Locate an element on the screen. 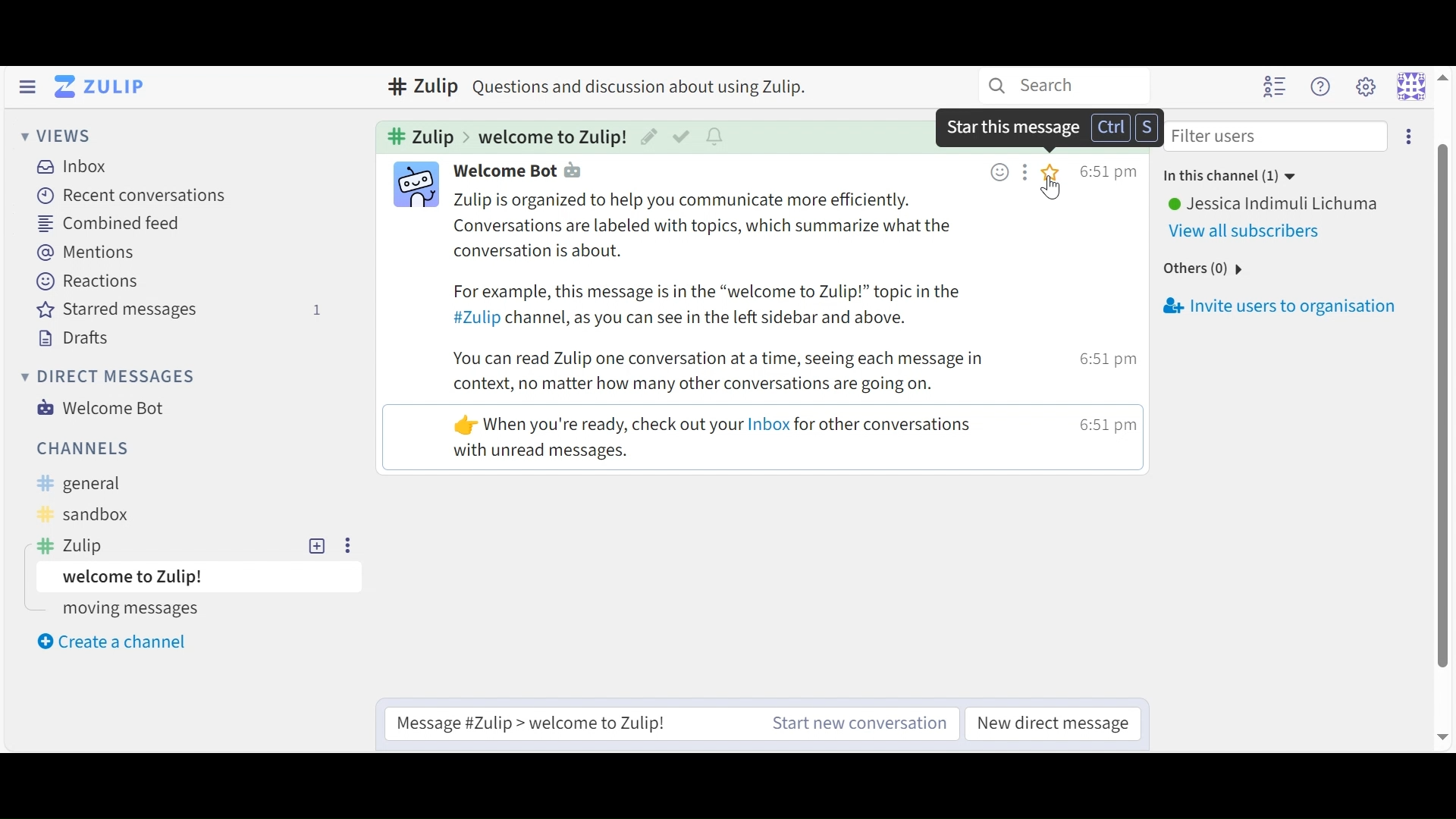  Go to Home (Imbox) is located at coordinates (99, 86).